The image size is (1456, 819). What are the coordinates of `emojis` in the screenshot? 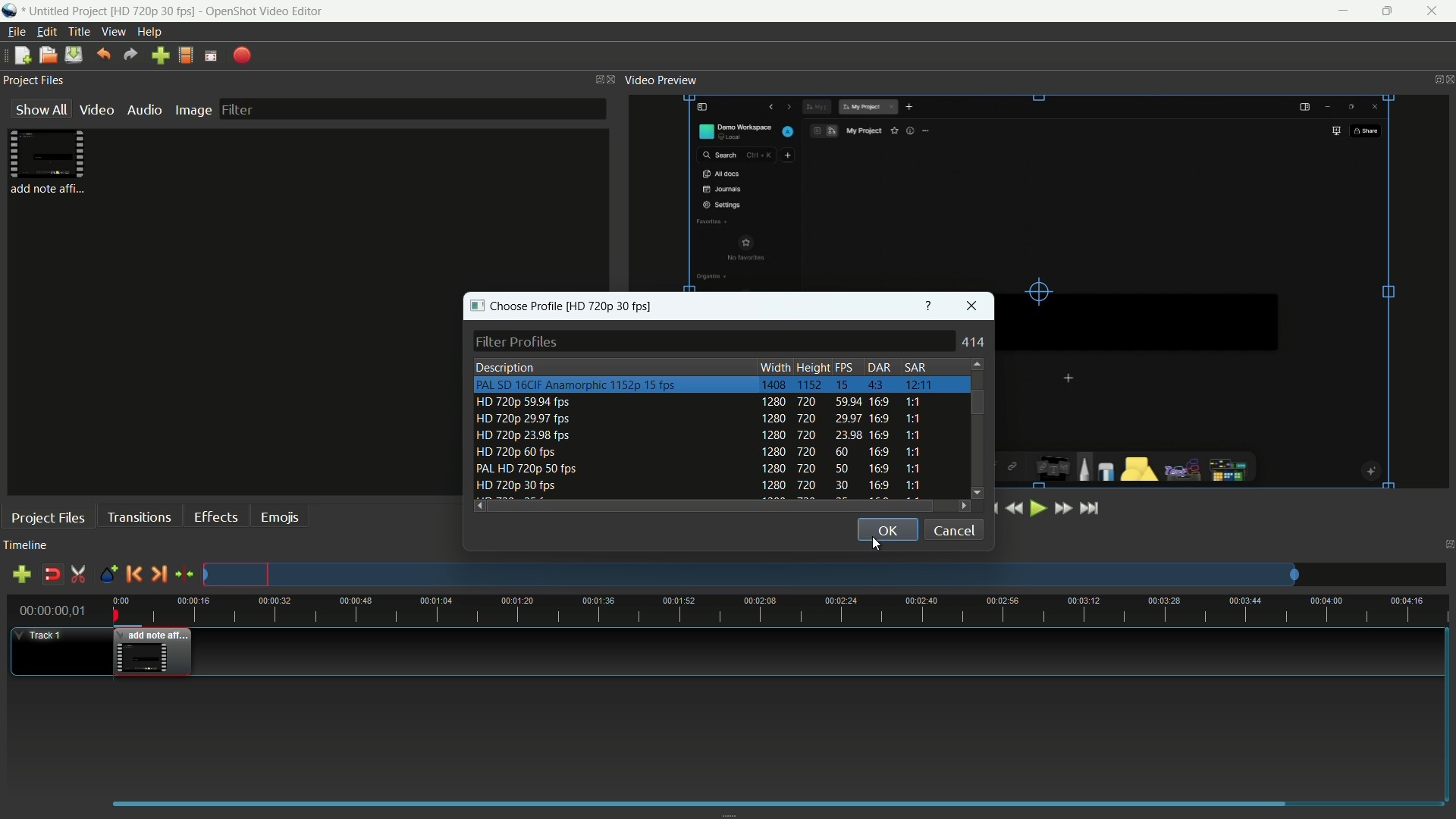 It's located at (281, 518).